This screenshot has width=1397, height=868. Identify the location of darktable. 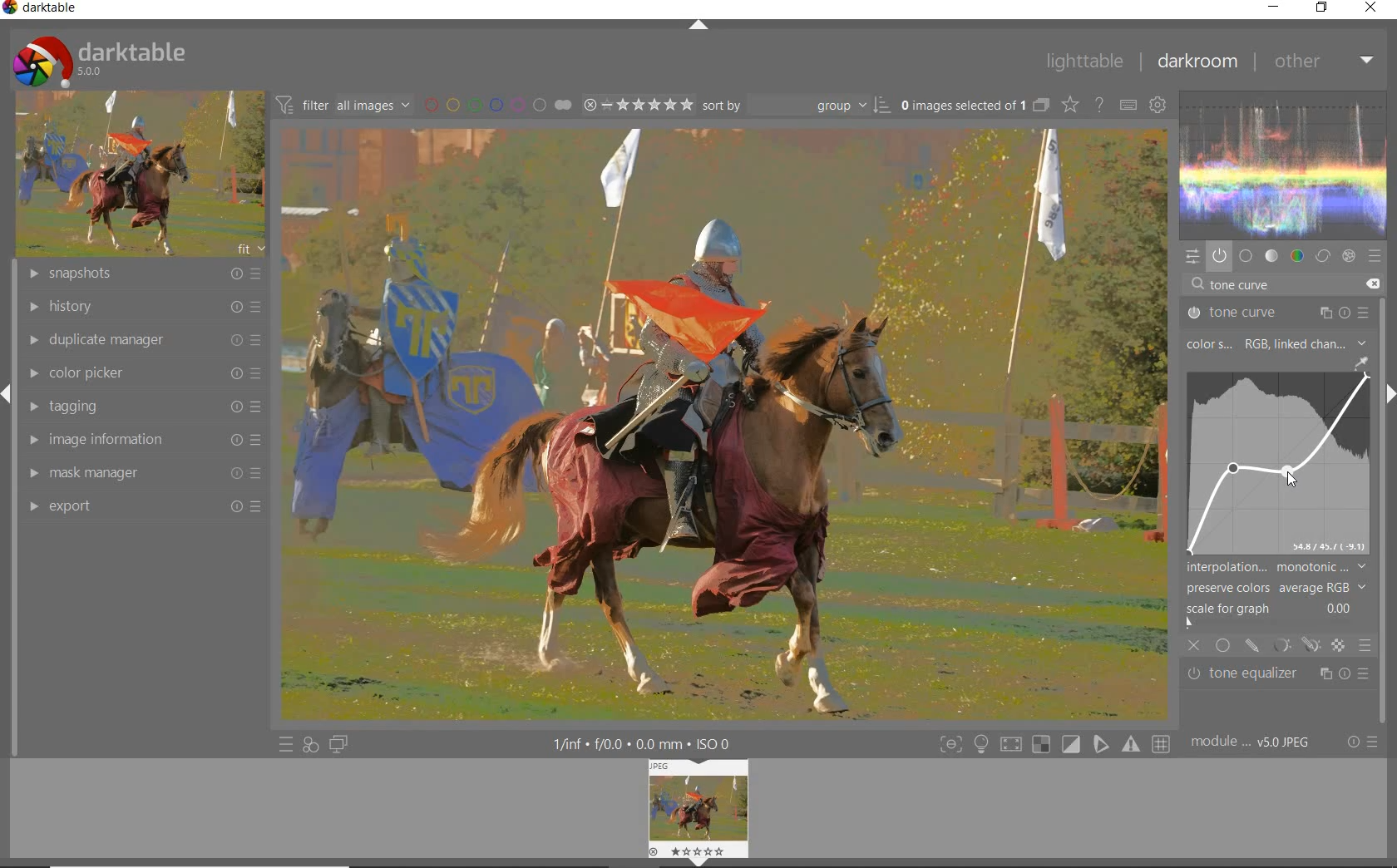
(45, 10).